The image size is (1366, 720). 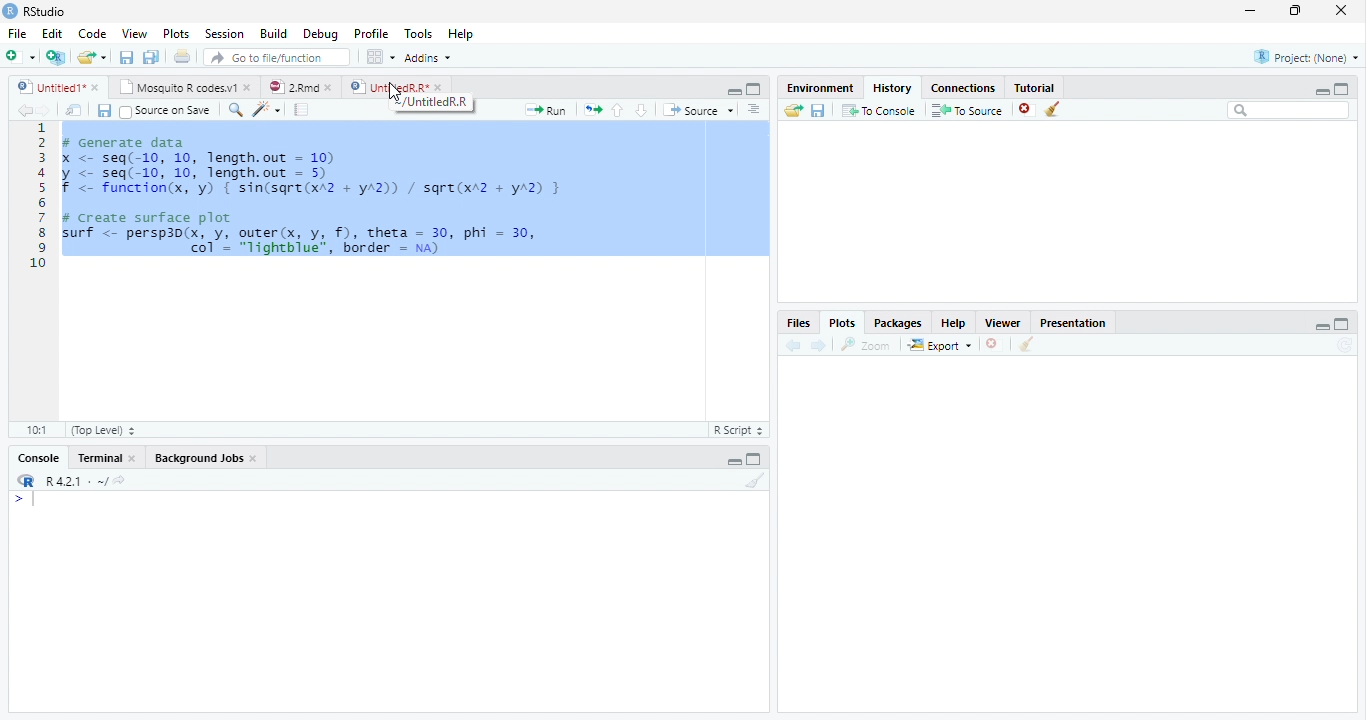 What do you see at coordinates (1288, 110) in the screenshot?
I see `Search bar` at bounding box center [1288, 110].